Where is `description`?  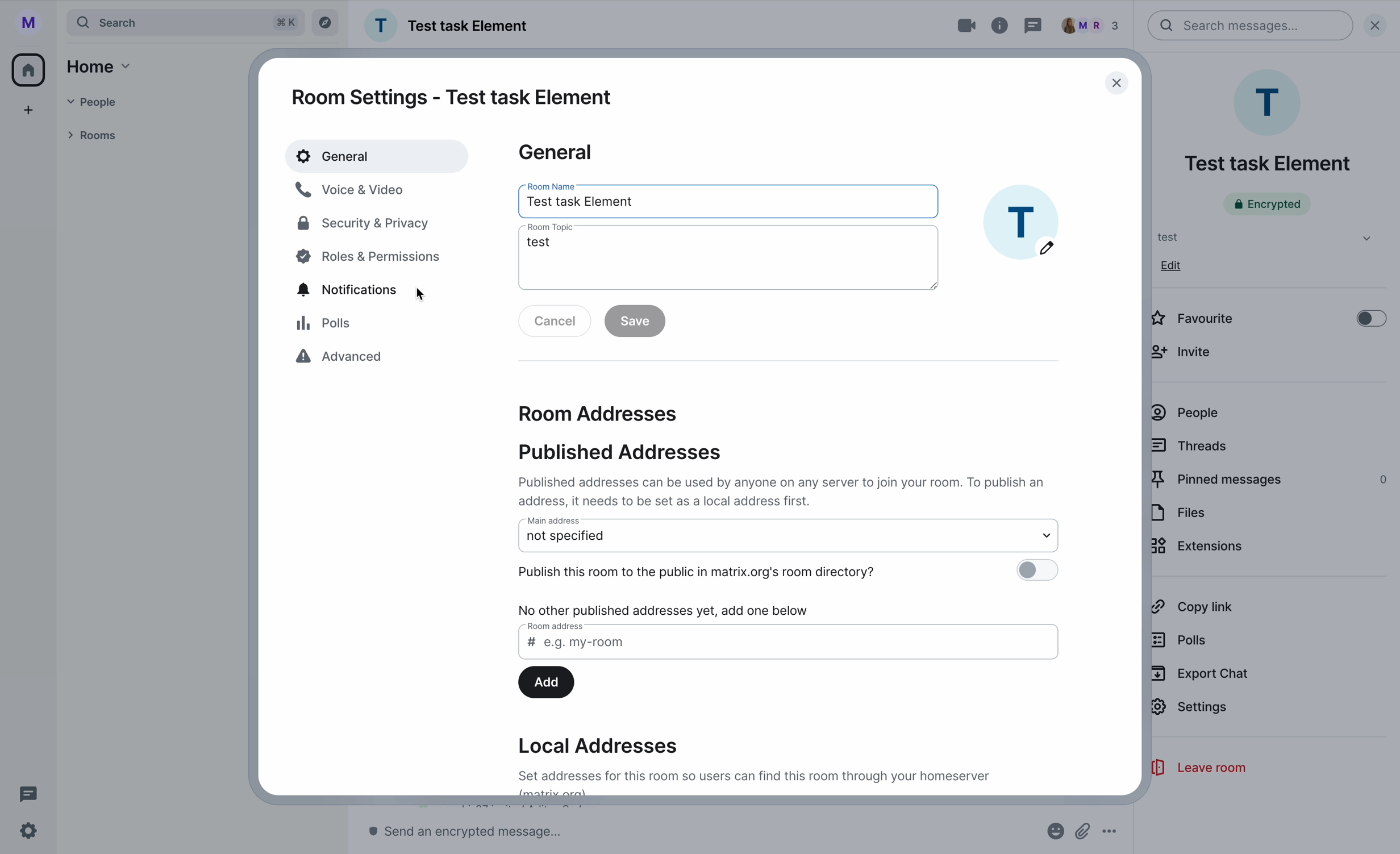 description is located at coordinates (757, 781).